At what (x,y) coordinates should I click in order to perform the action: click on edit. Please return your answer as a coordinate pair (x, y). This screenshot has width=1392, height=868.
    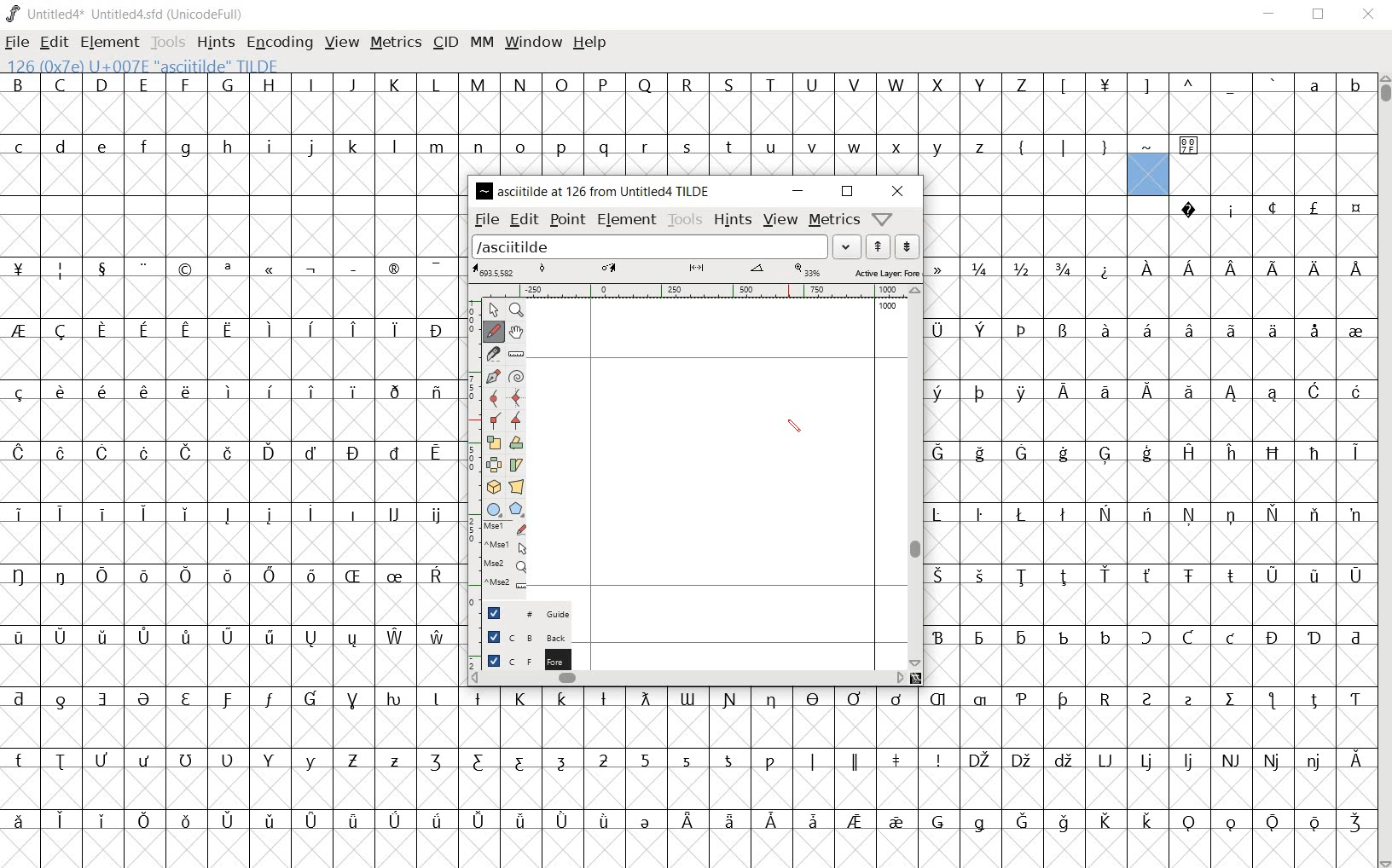
    Looking at the image, I should click on (523, 220).